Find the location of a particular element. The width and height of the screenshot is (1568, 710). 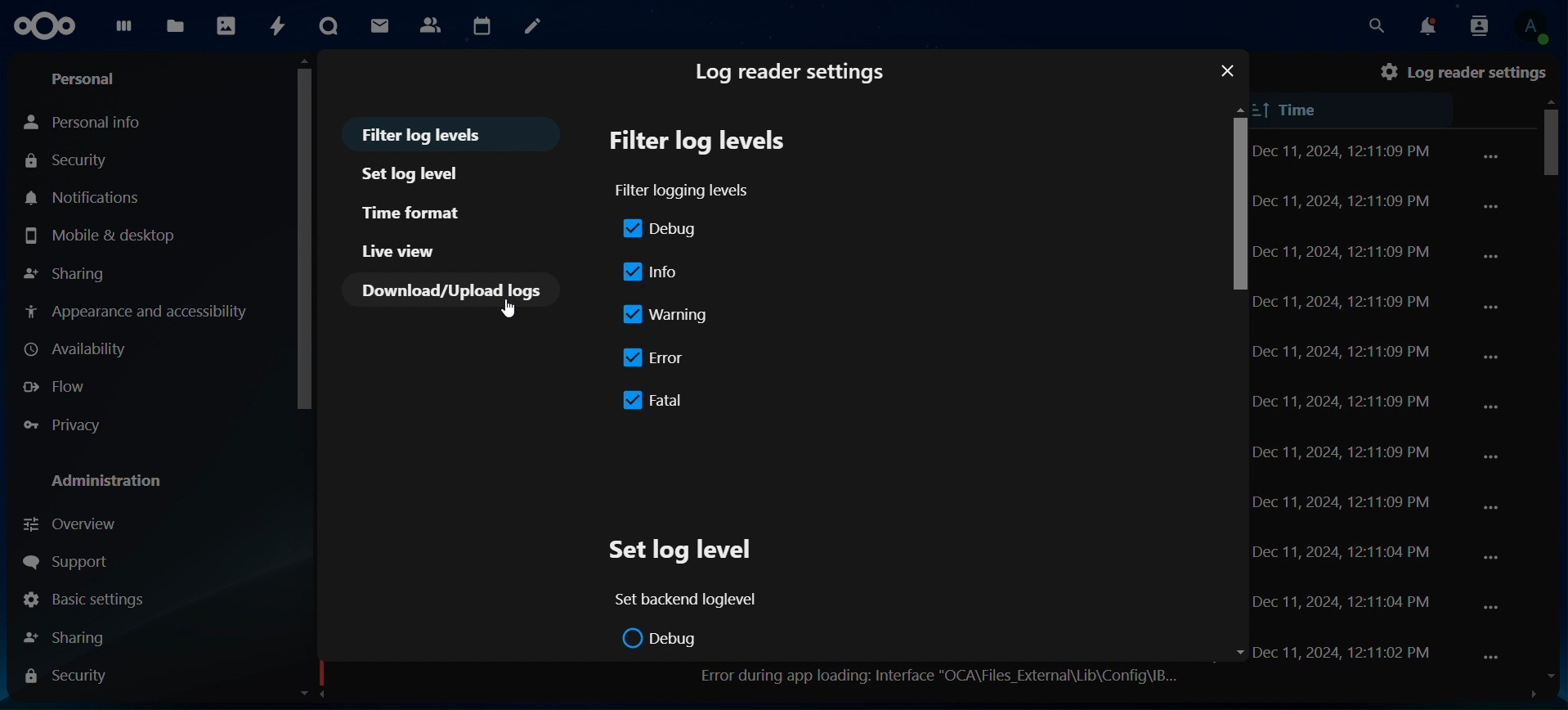

security is located at coordinates (70, 160).